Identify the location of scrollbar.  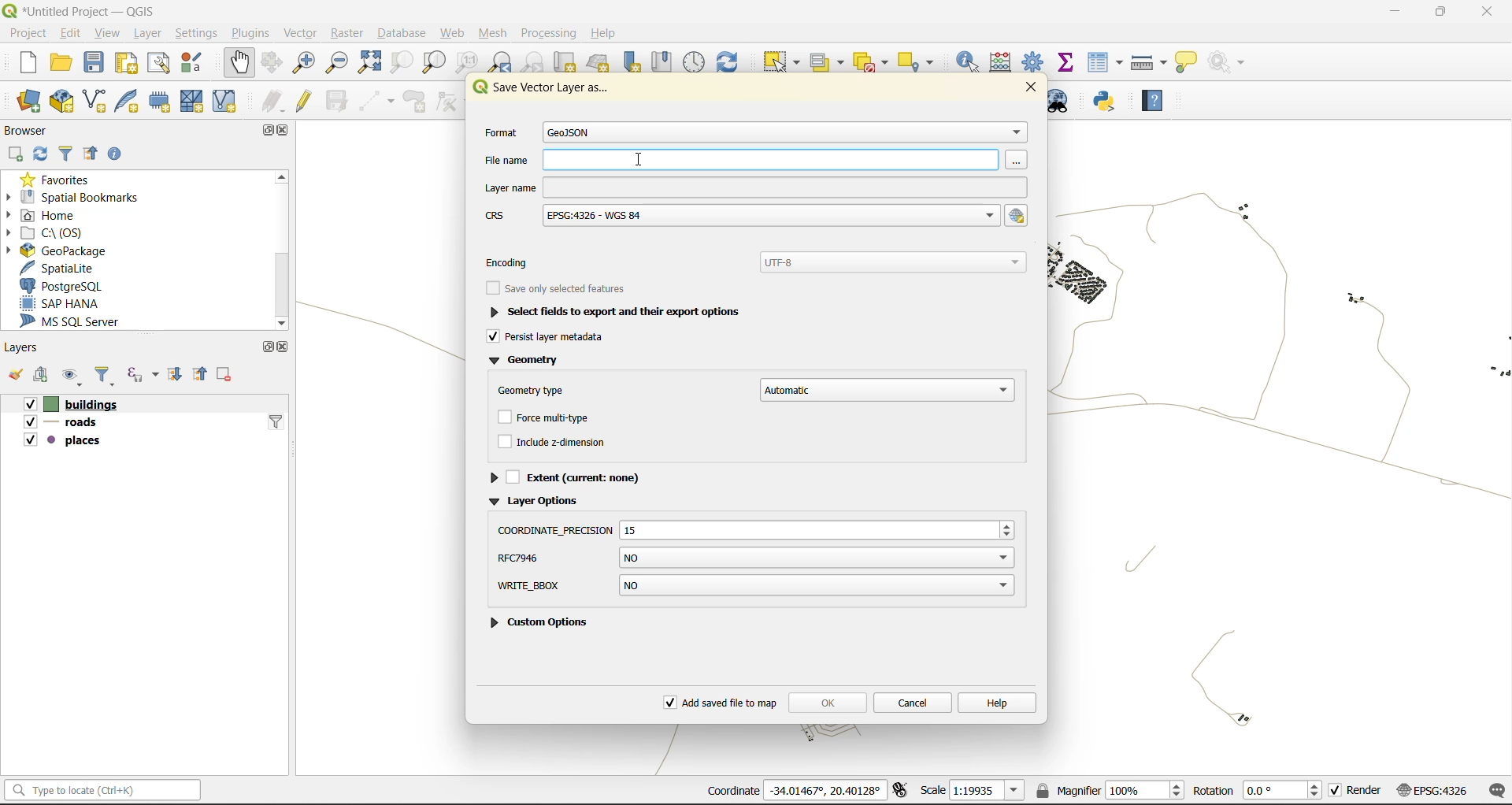
(280, 250).